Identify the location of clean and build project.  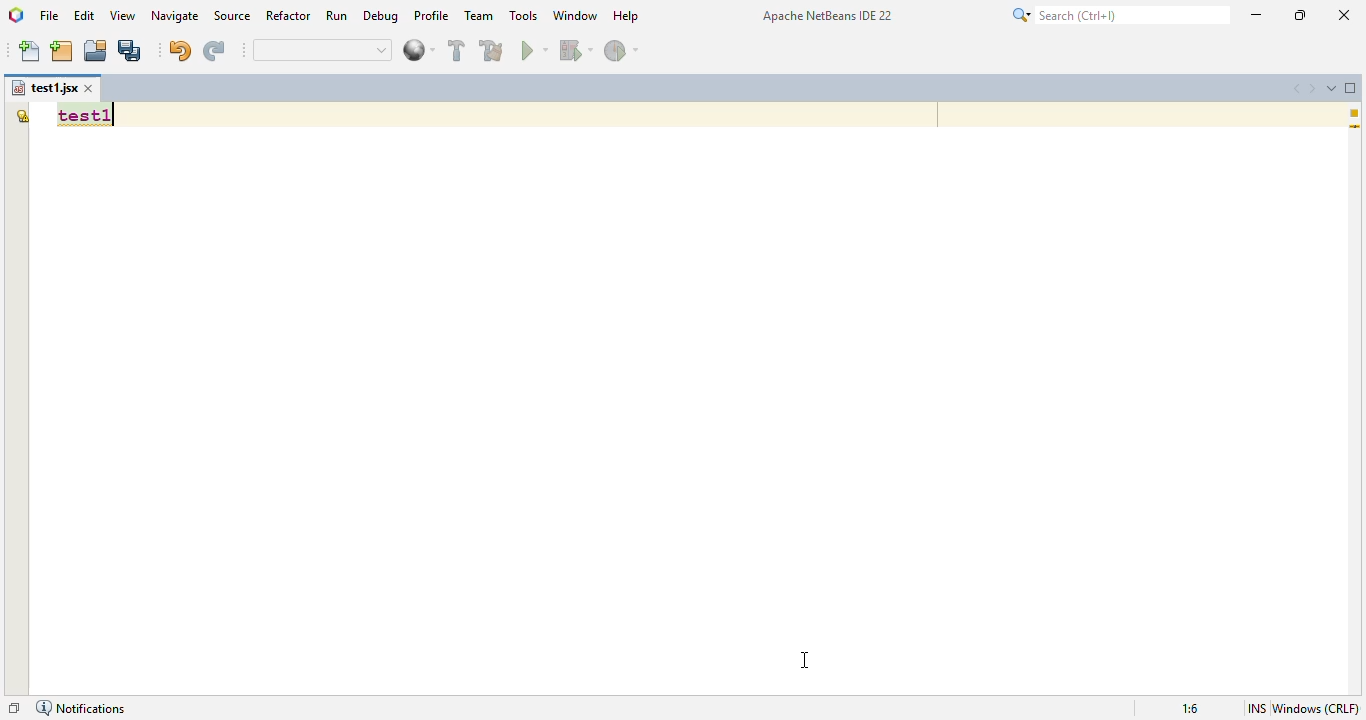
(491, 50).